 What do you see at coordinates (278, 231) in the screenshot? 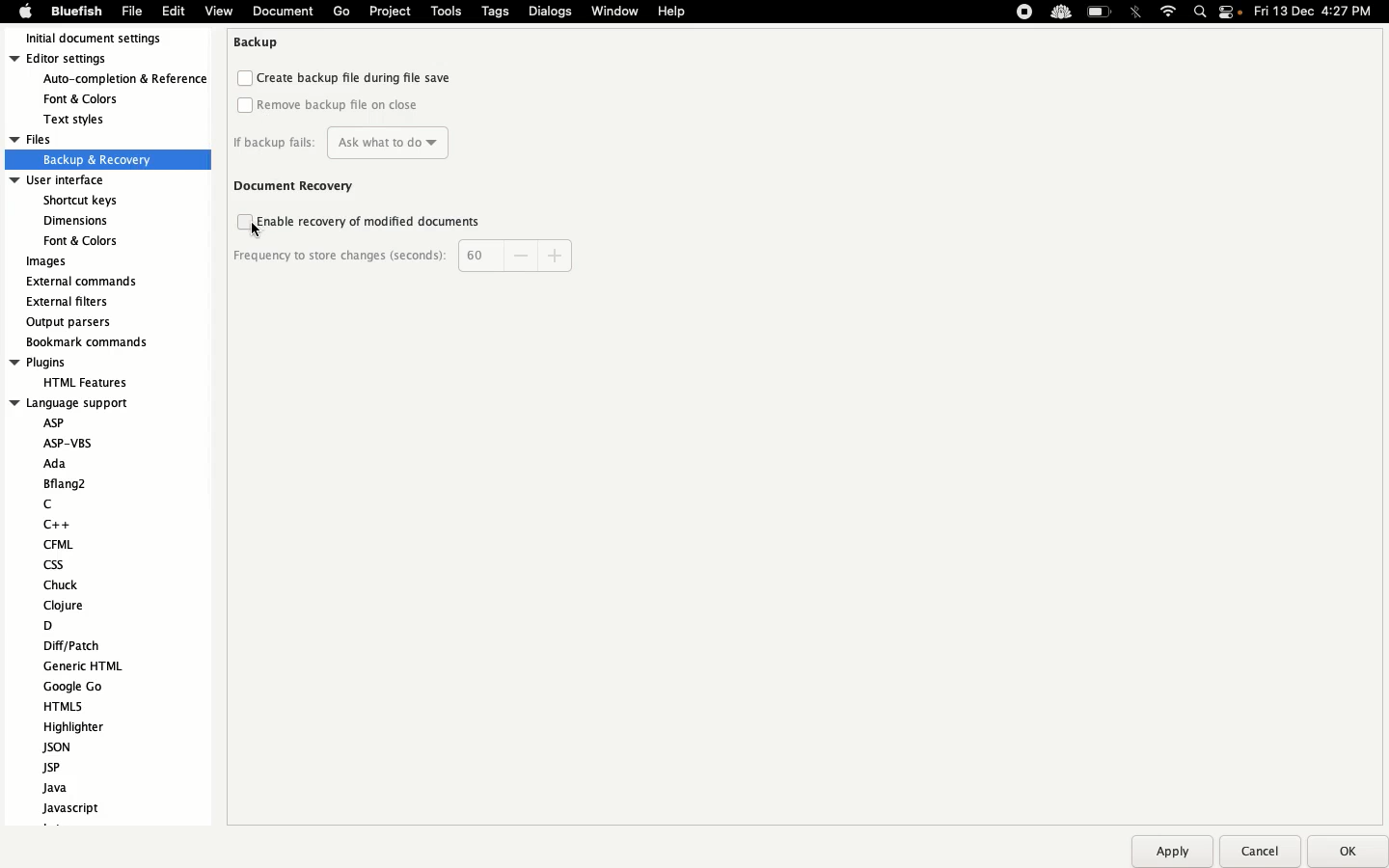
I see `Cursor ` at bounding box center [278, 231].